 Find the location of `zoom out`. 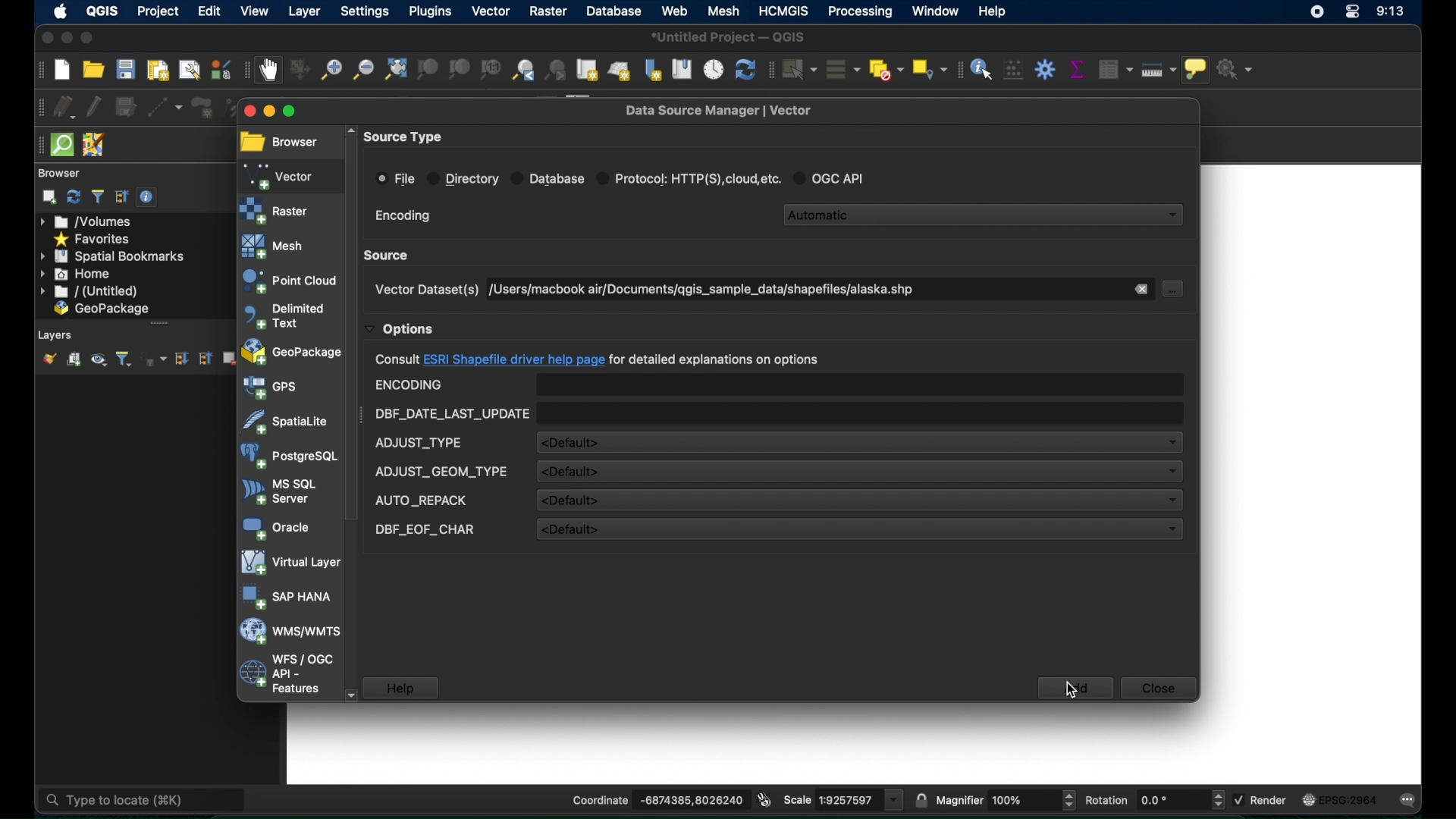

zoom out is located at coordinates (362, 72).